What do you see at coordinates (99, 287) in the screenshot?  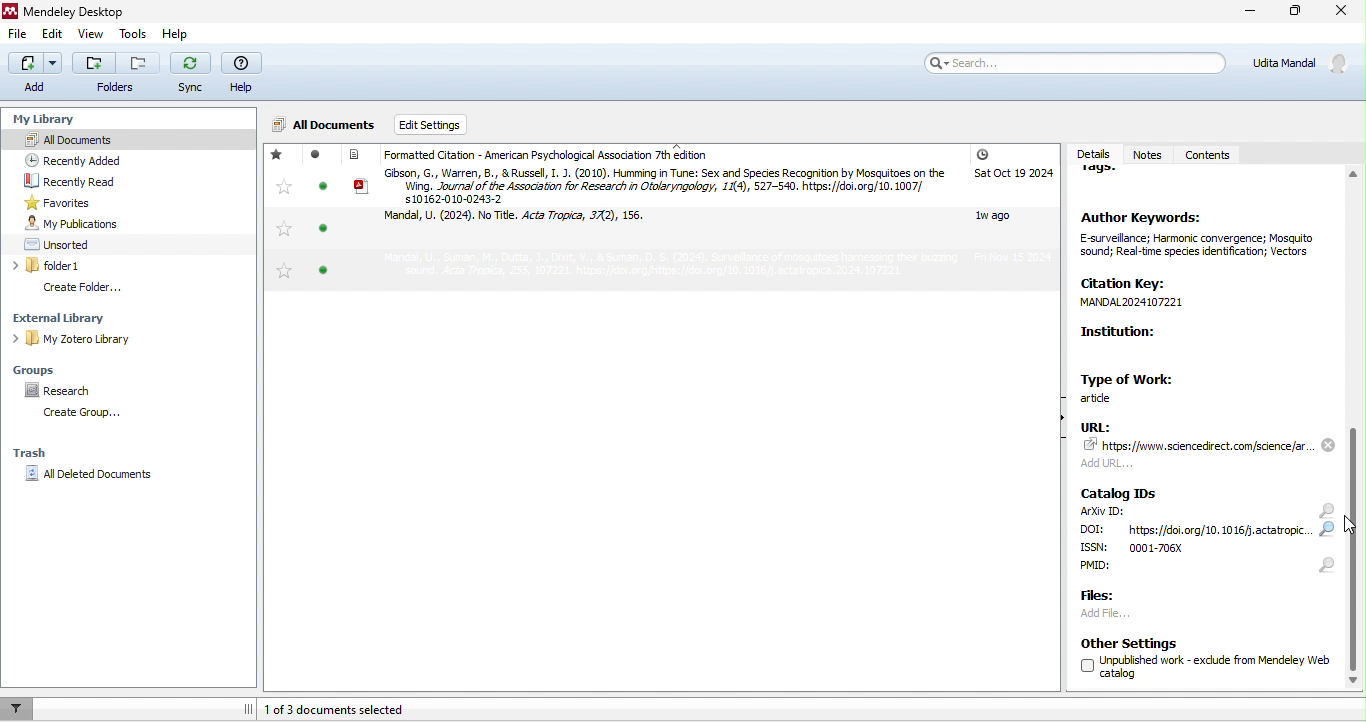 I see `create folder` at bounding box center [99, 287].